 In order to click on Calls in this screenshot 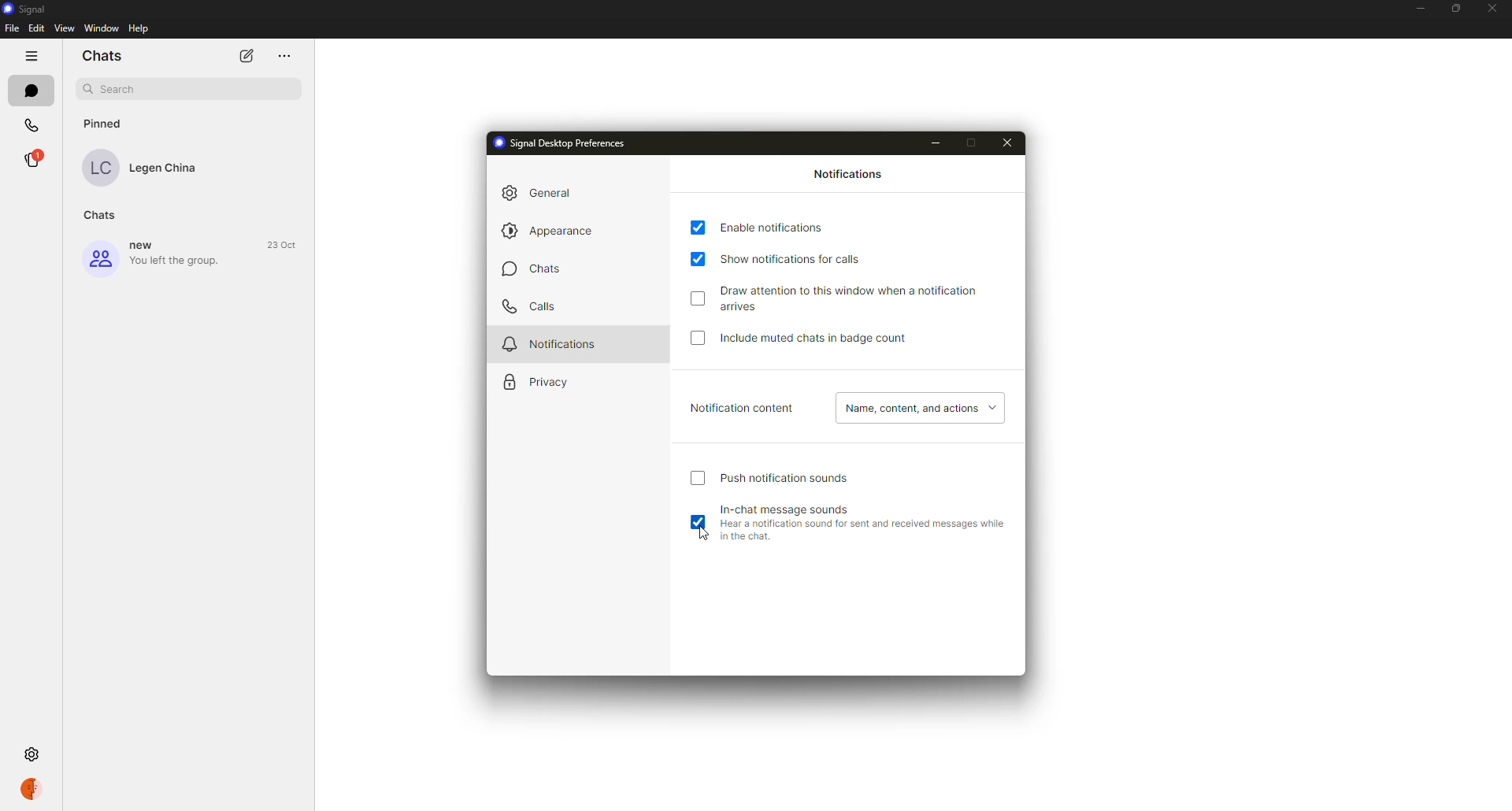, I will do `click(31, 126)`.